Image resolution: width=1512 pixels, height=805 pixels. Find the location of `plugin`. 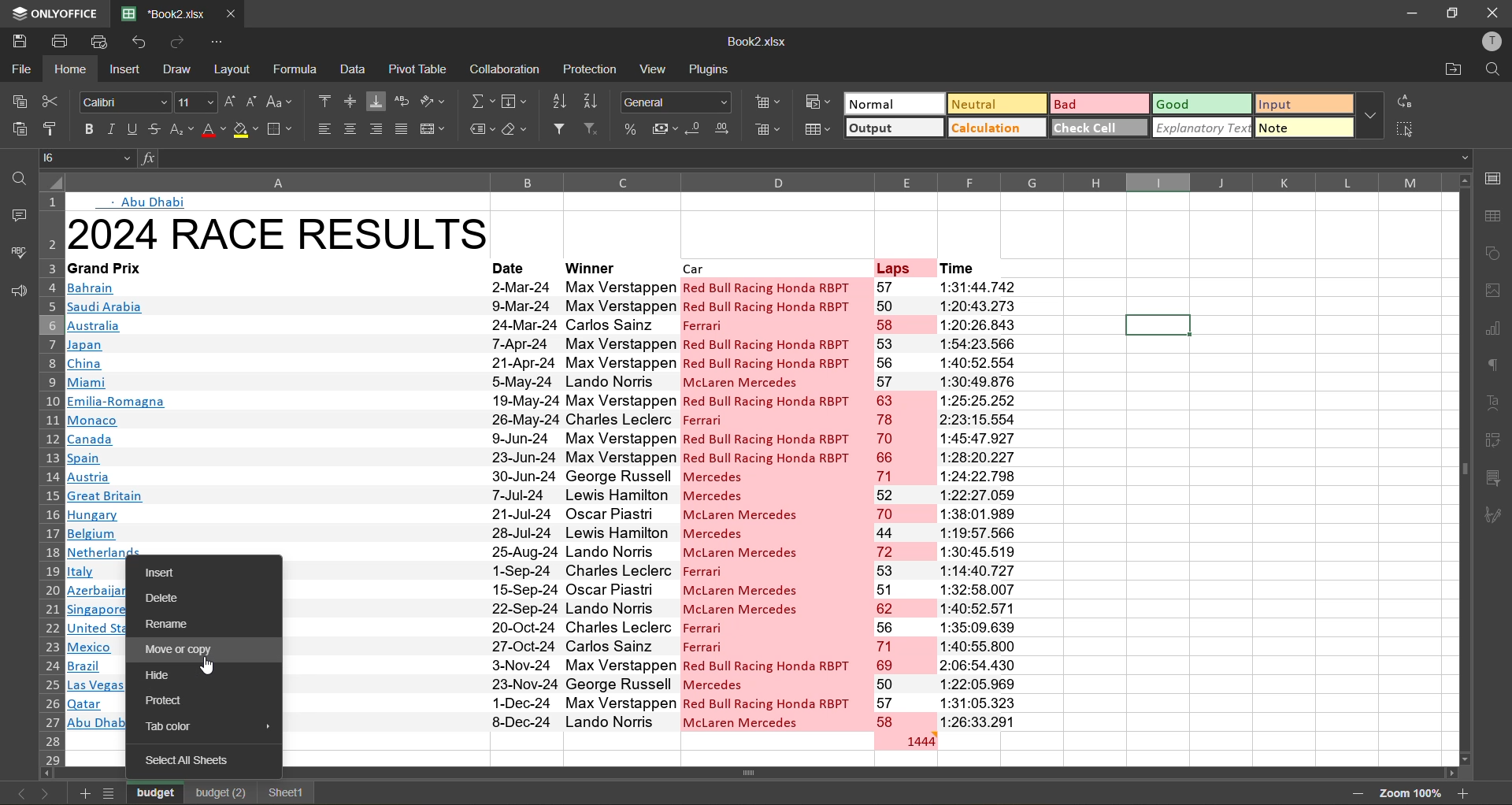

plugin is located at coordinates (714, 72).